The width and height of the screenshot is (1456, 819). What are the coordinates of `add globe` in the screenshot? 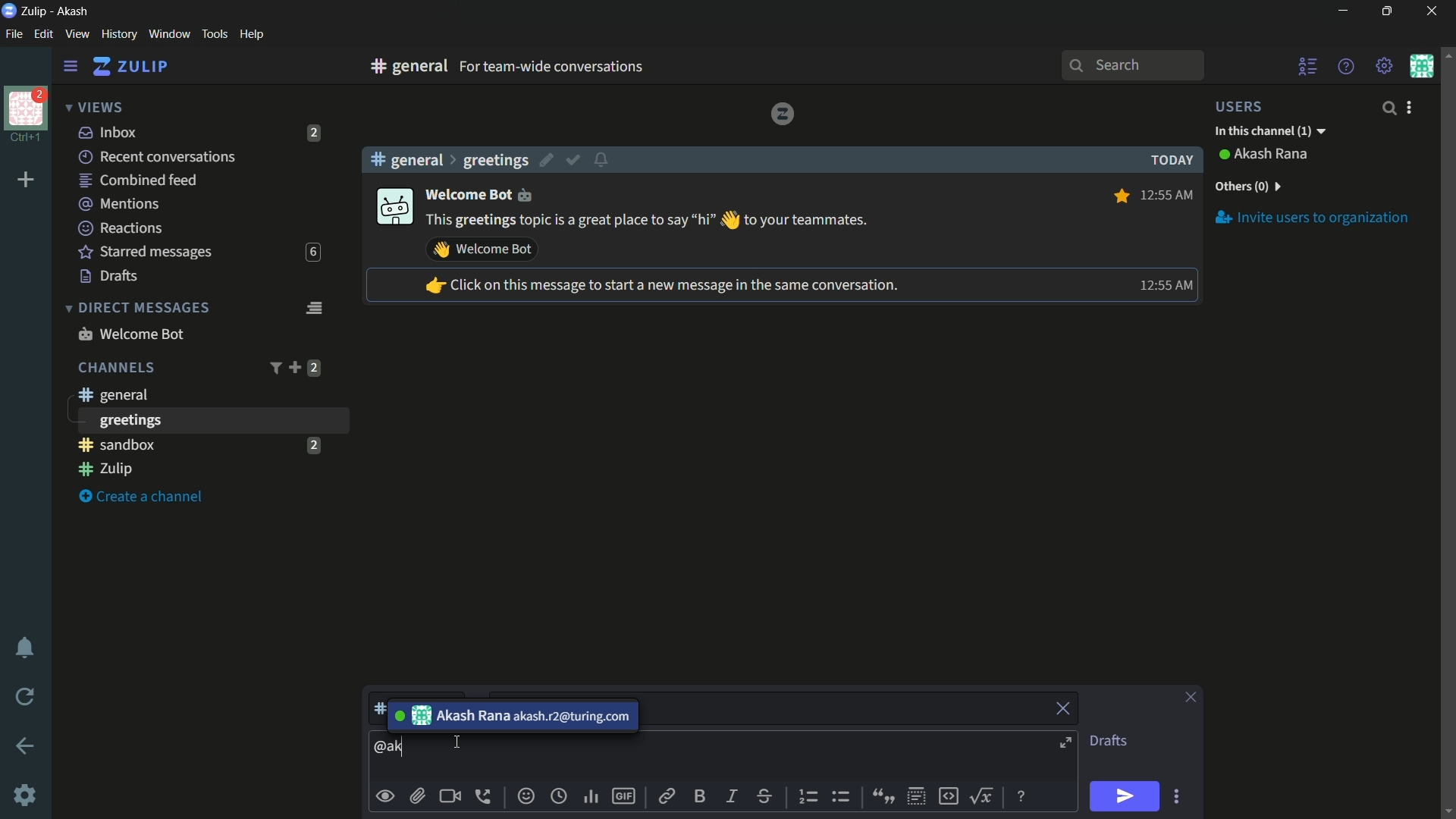 It's located at (559, 798).